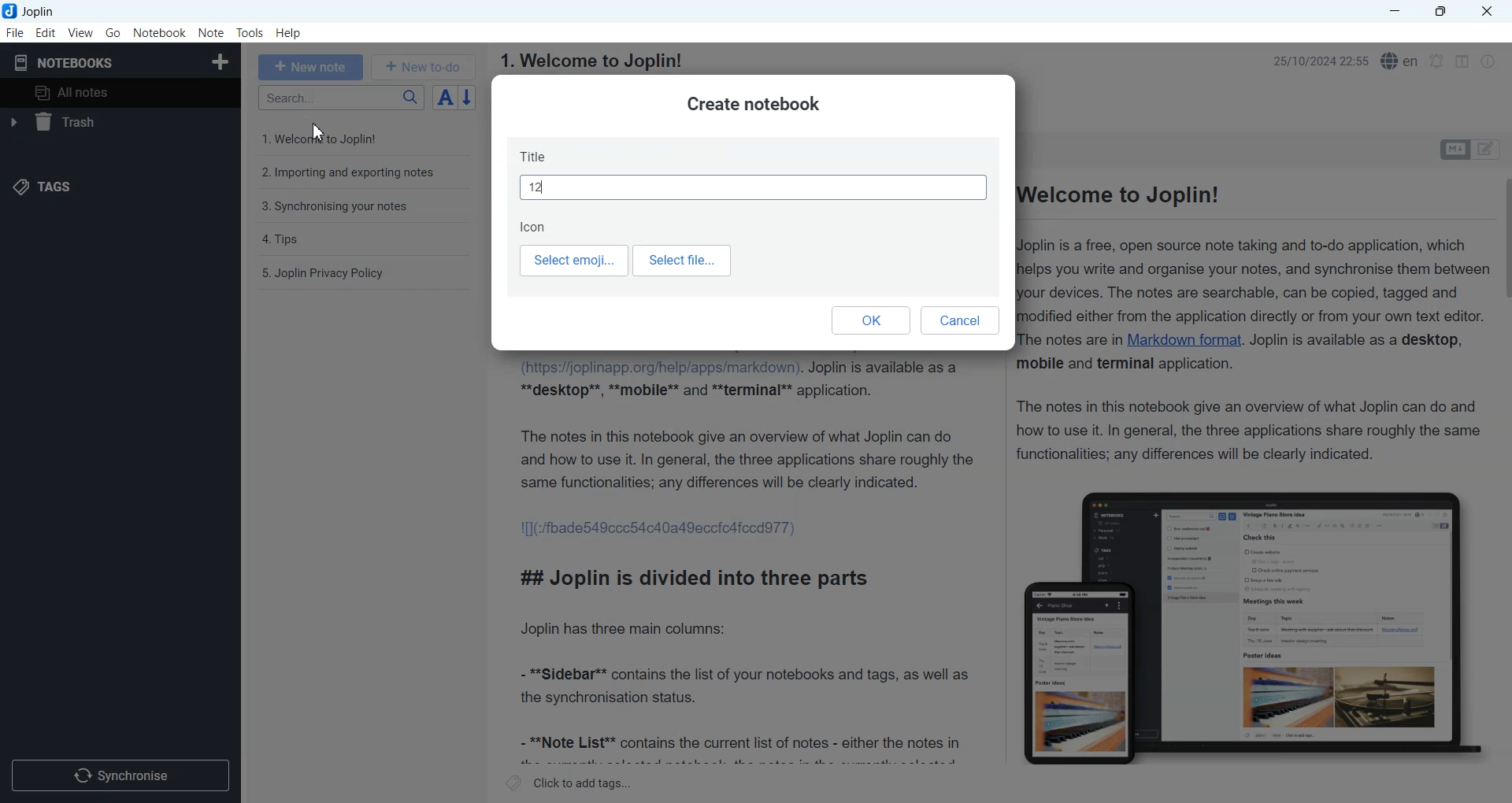 This screenshot has height=803, width=1512. What do you see at coordinates (1437, 61) in the screenshot?
I see `Set timer` at bounding box center [1437, 61].